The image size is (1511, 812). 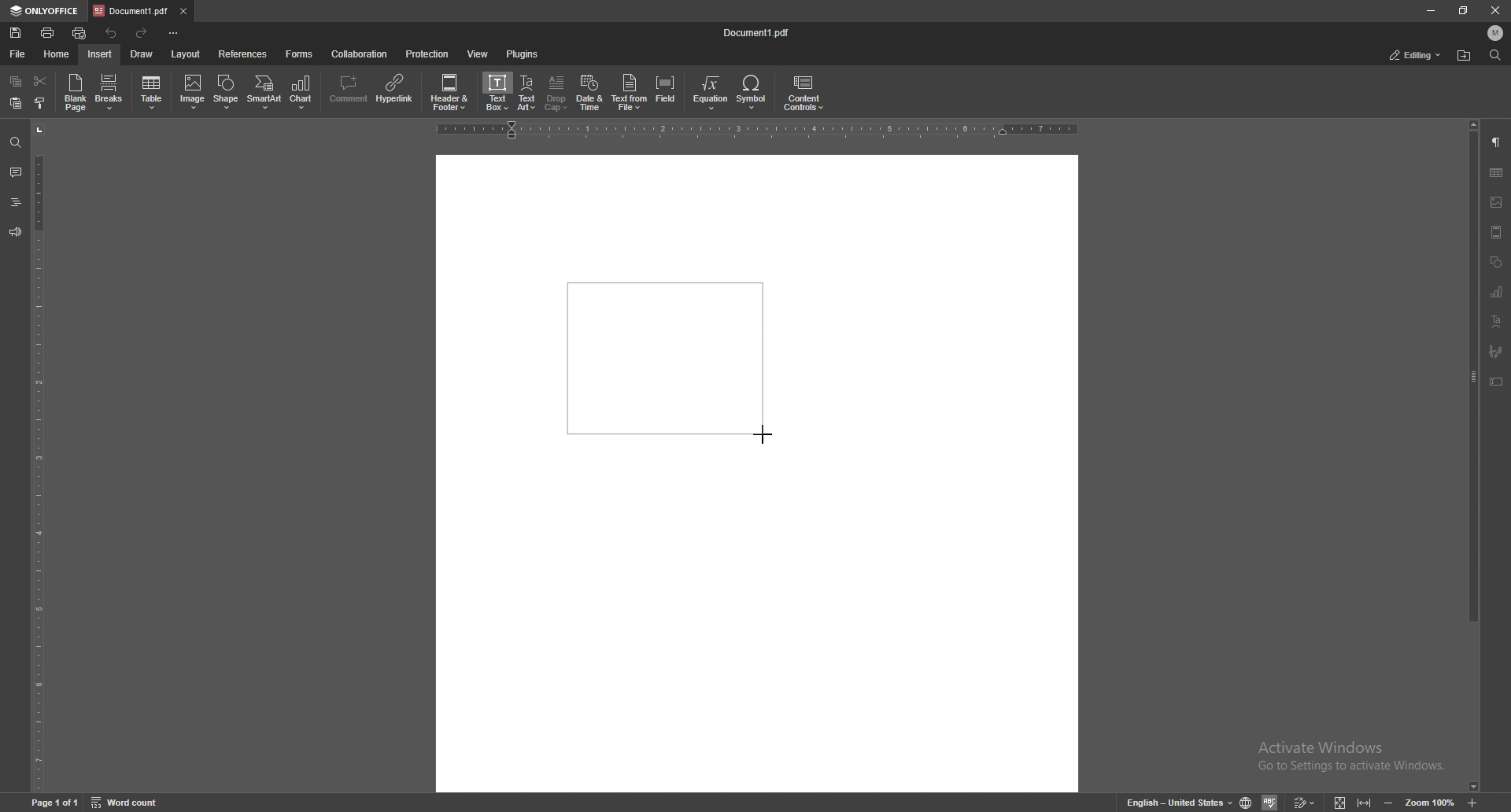 What do you see at coordinates (1464, 56) in the screenshot?
I see `find in folder` at bounding box center [1464, 56].